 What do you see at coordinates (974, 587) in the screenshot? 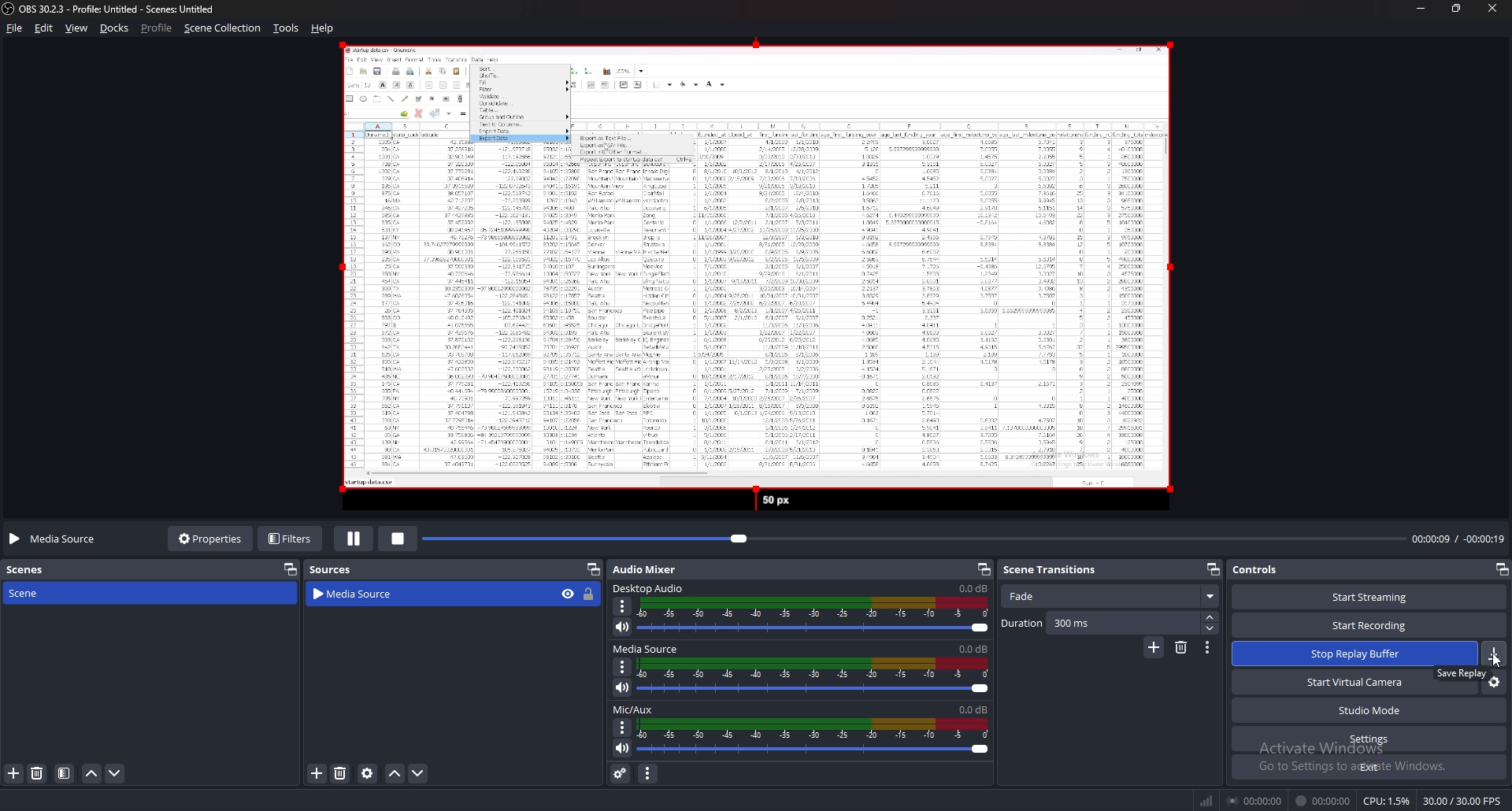
I see `0.0db` at bounding box center [974, 587].